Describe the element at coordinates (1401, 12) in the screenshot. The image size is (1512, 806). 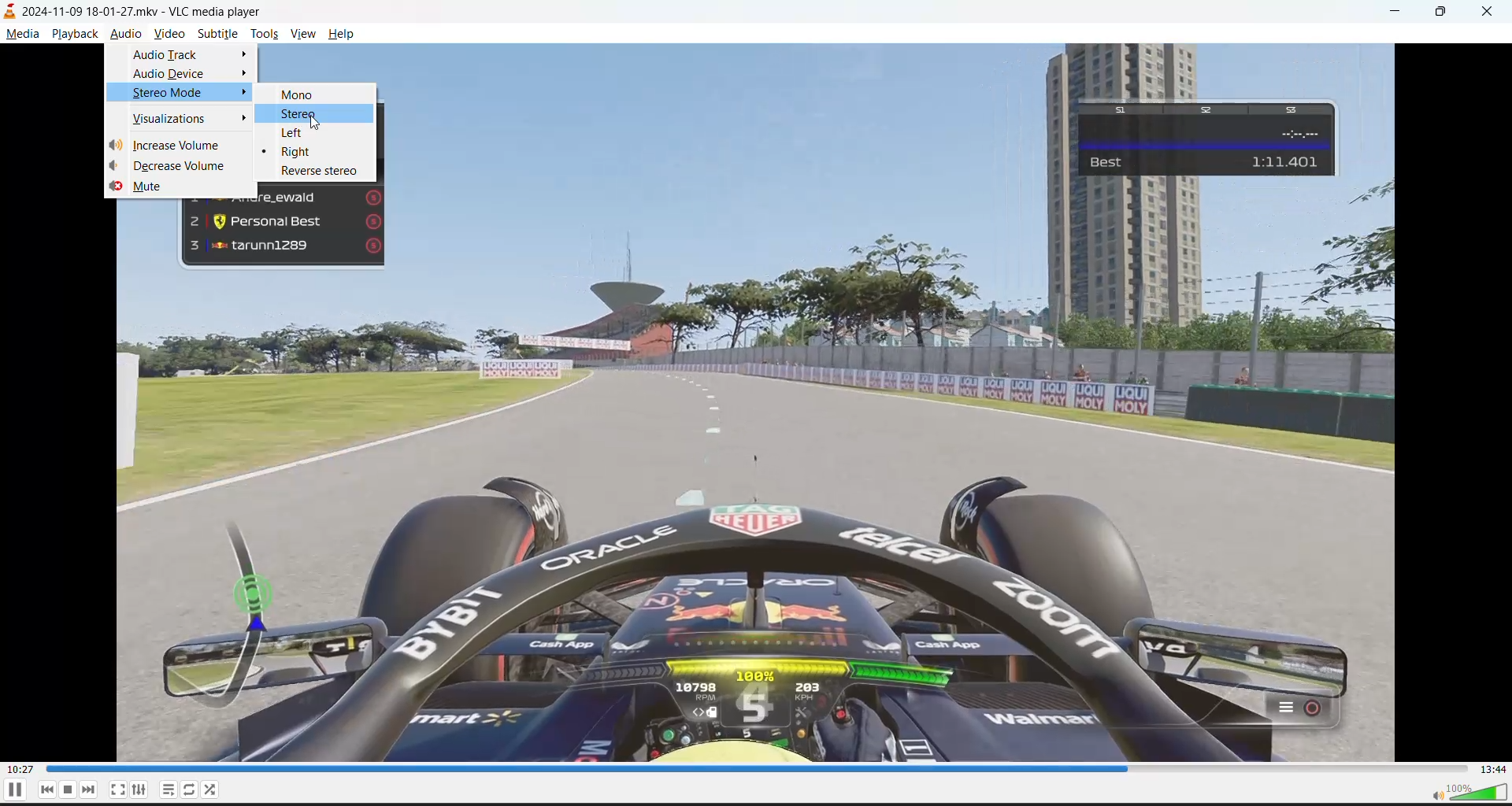
I see `minimize` at that location.